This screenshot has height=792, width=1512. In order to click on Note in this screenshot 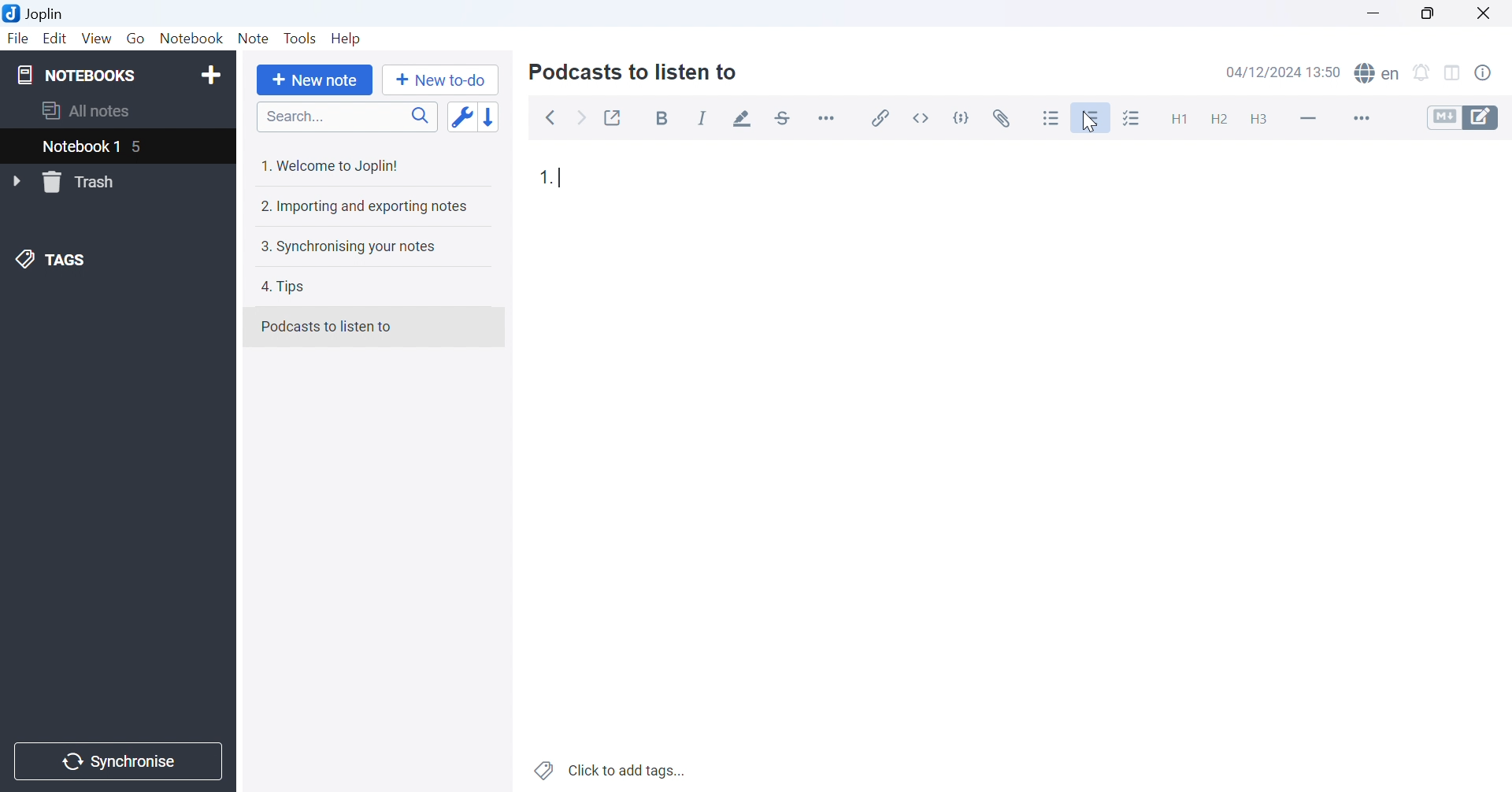, I will do `click(254, 38)`.